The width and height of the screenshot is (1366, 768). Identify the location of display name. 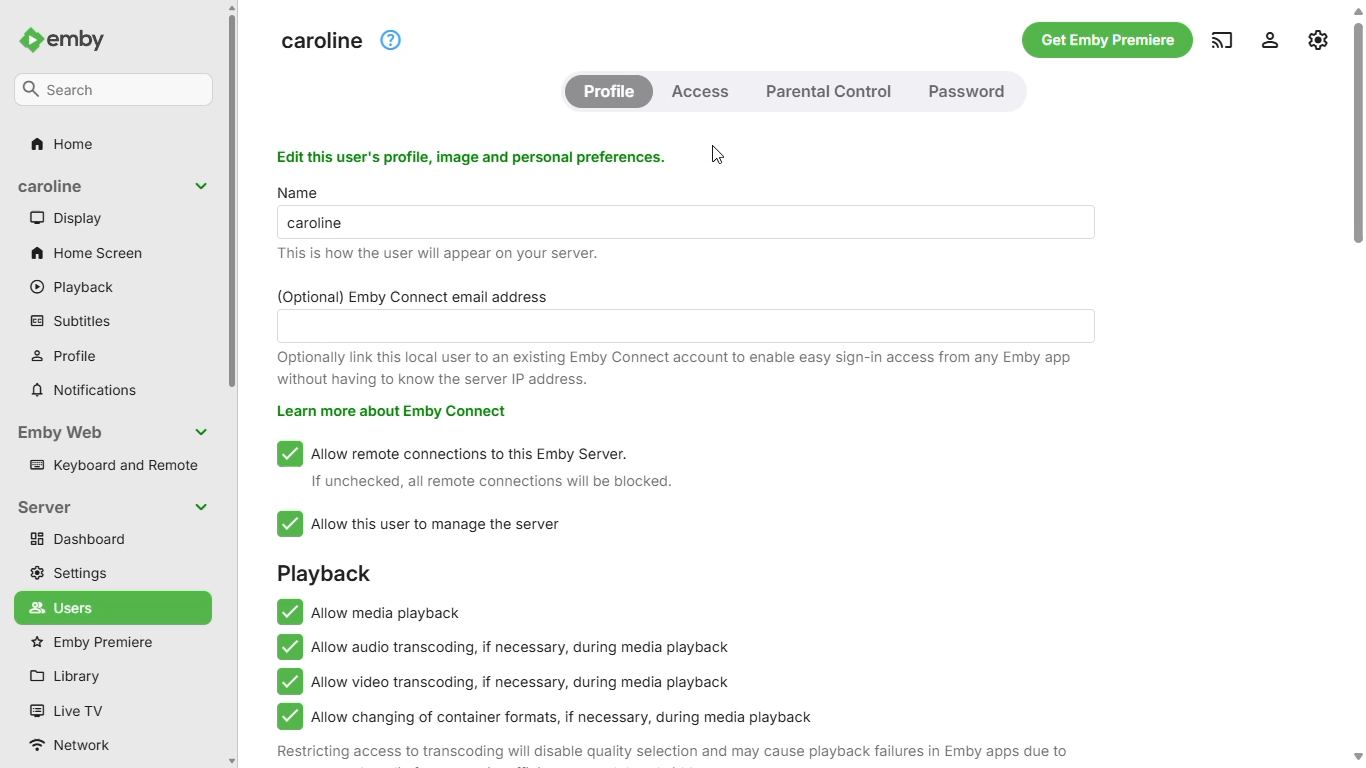
(114, 186).